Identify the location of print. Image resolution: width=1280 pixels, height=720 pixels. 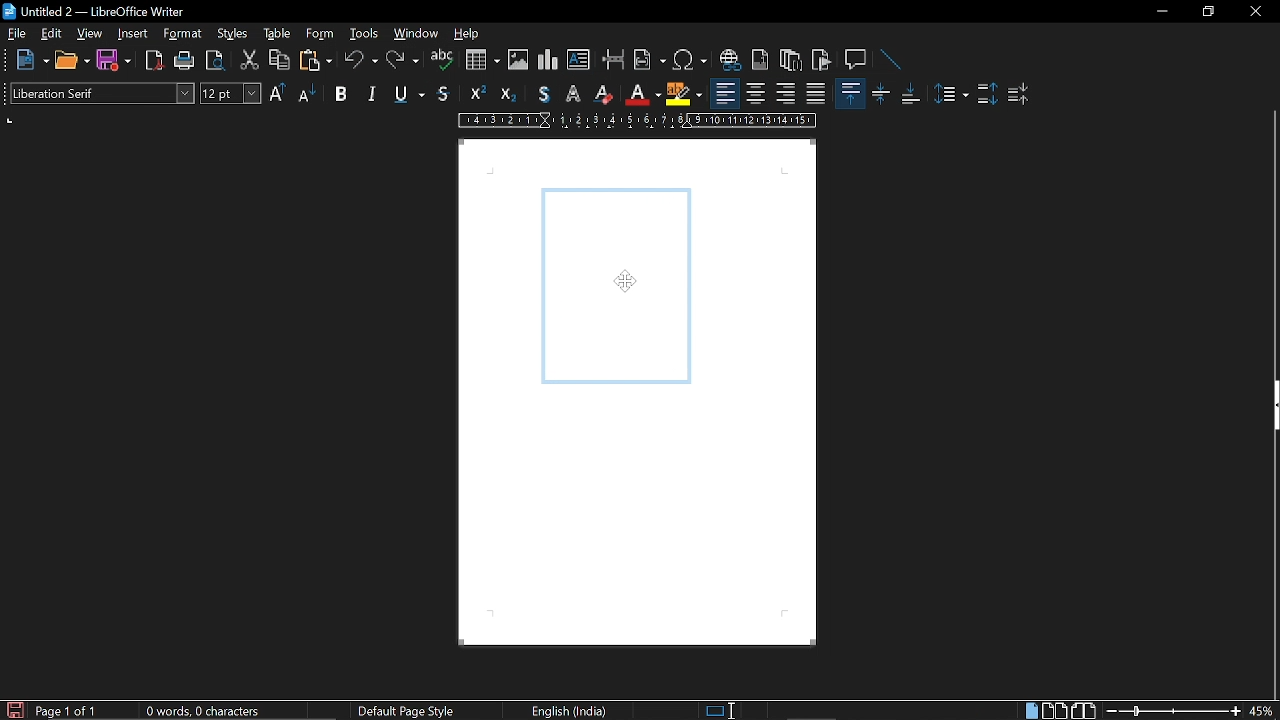
(182, 60).